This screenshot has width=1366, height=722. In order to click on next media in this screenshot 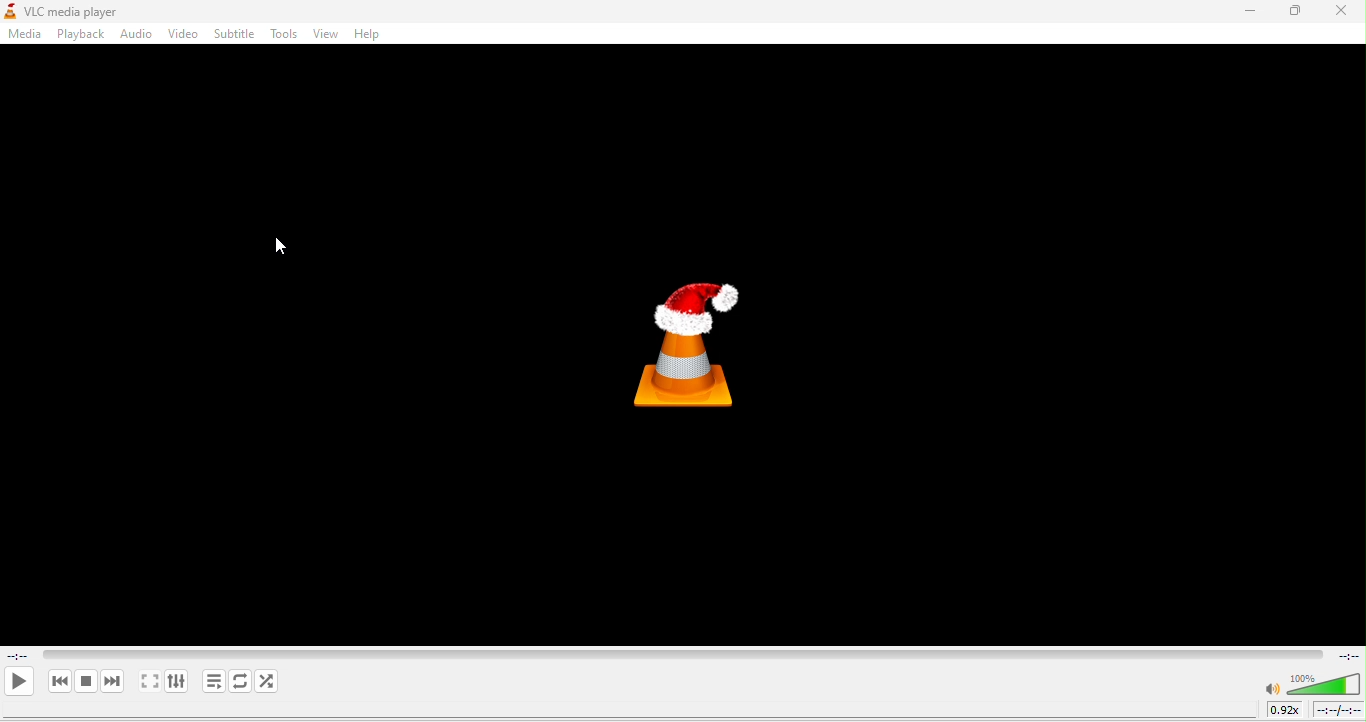, I will do `click(113, 683)`.